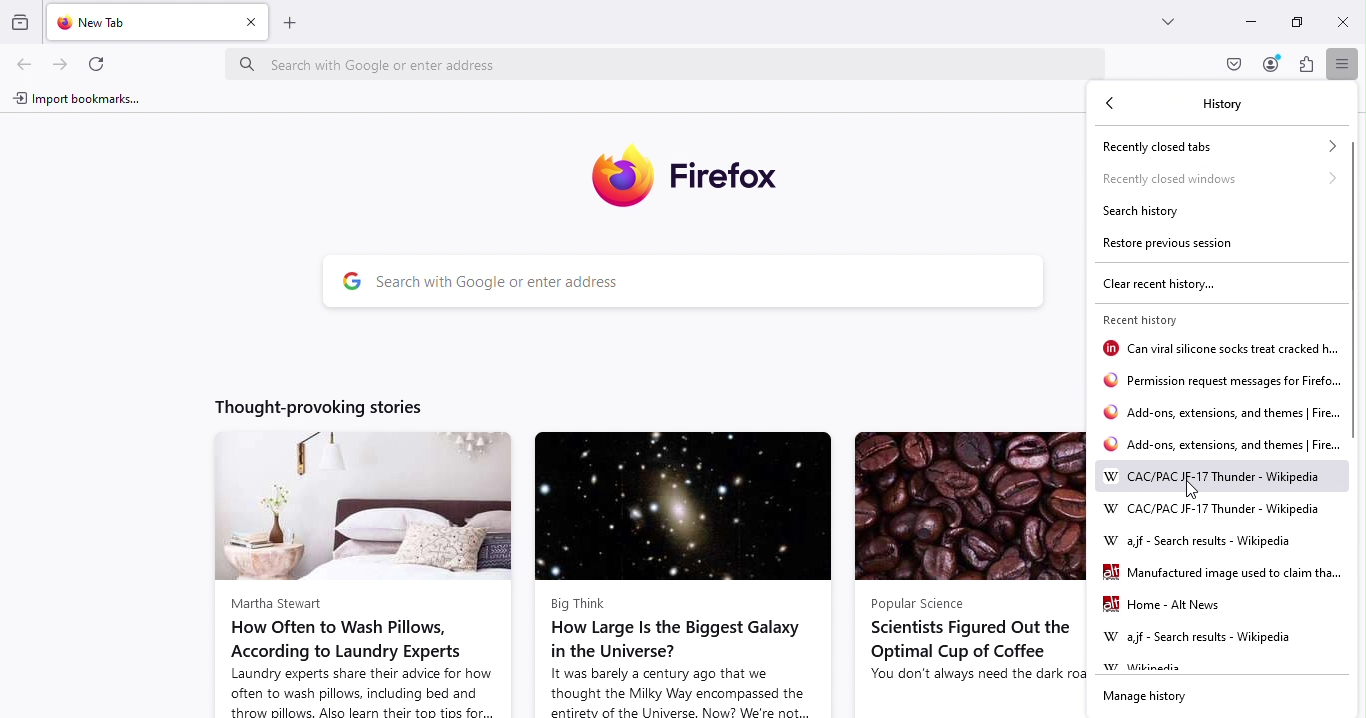 Image resolution: width=1366 pixels, height=718 pixels. Describe the element at coordinates (1224, 383) in the screenshot. I see `webpage link` at that location.